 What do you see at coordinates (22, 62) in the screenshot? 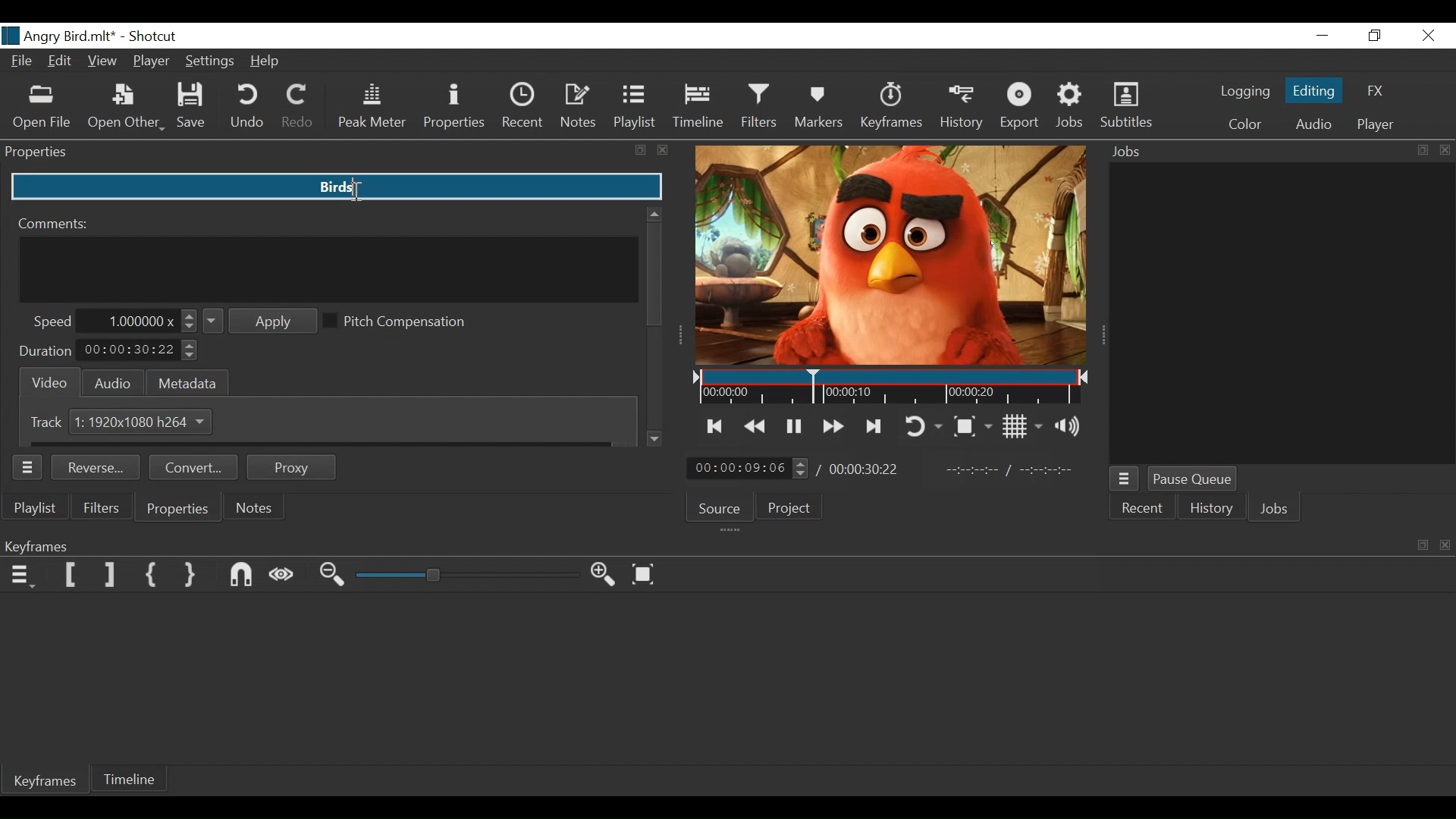
I see `File` at bounding box center [22, 62].